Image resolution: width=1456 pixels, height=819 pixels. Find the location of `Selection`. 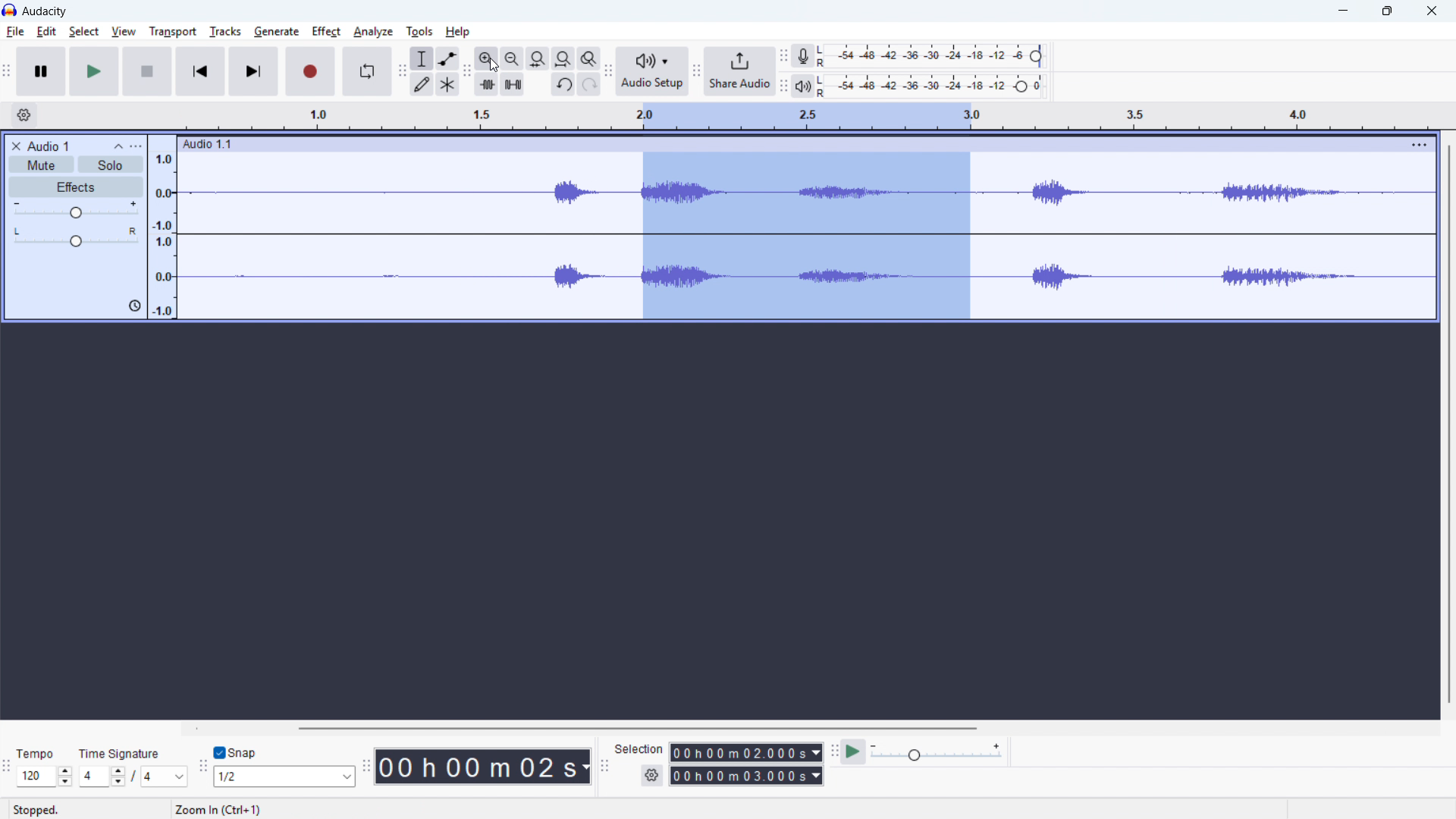

Selection is located at coordinates (640, 748).